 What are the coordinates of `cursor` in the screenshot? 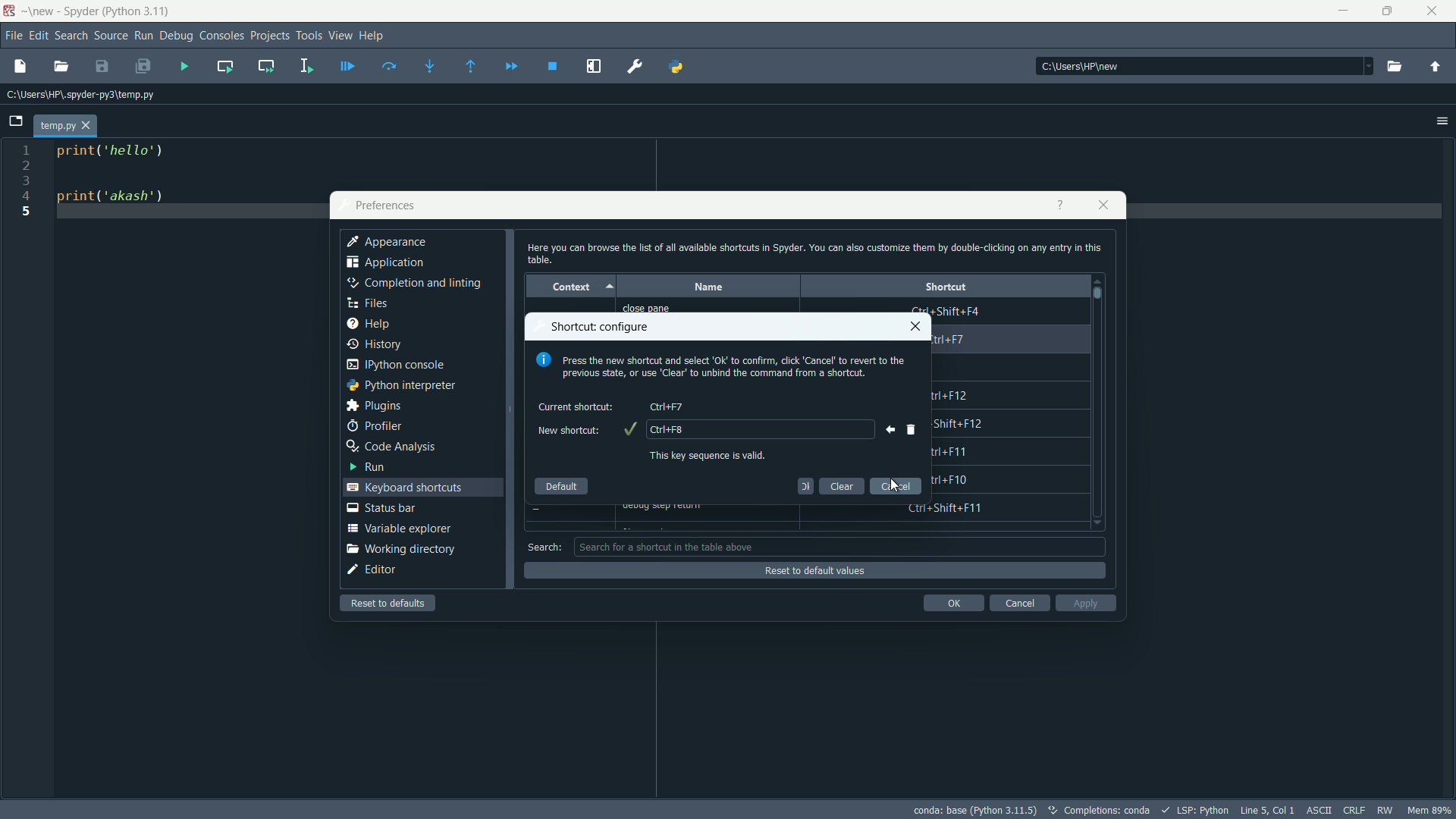 It's located at (896, 486).